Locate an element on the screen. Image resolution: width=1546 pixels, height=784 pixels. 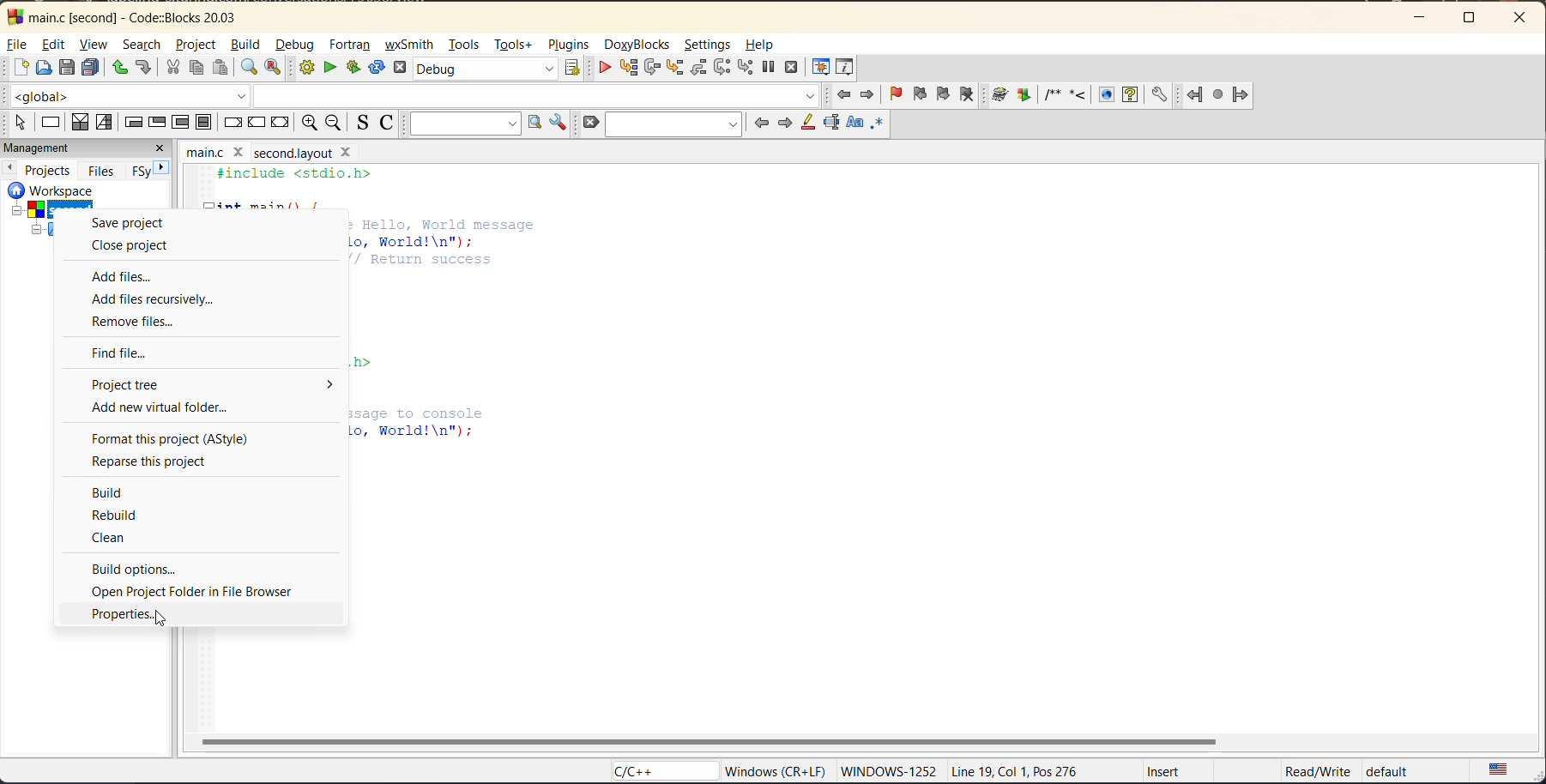
abort is located at coordinates (397, 67).